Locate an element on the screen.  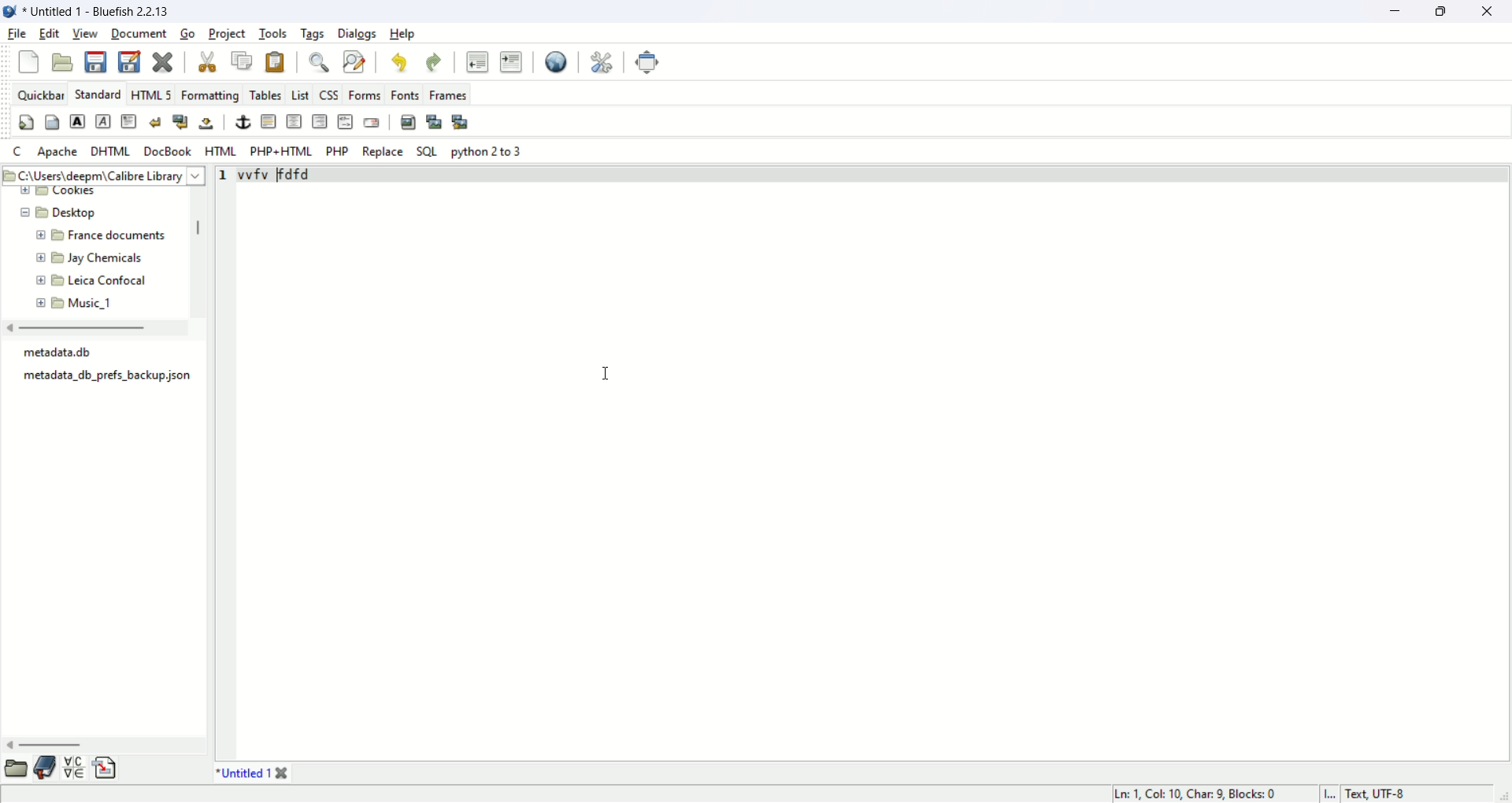
project is located at coordinates (228, 34).